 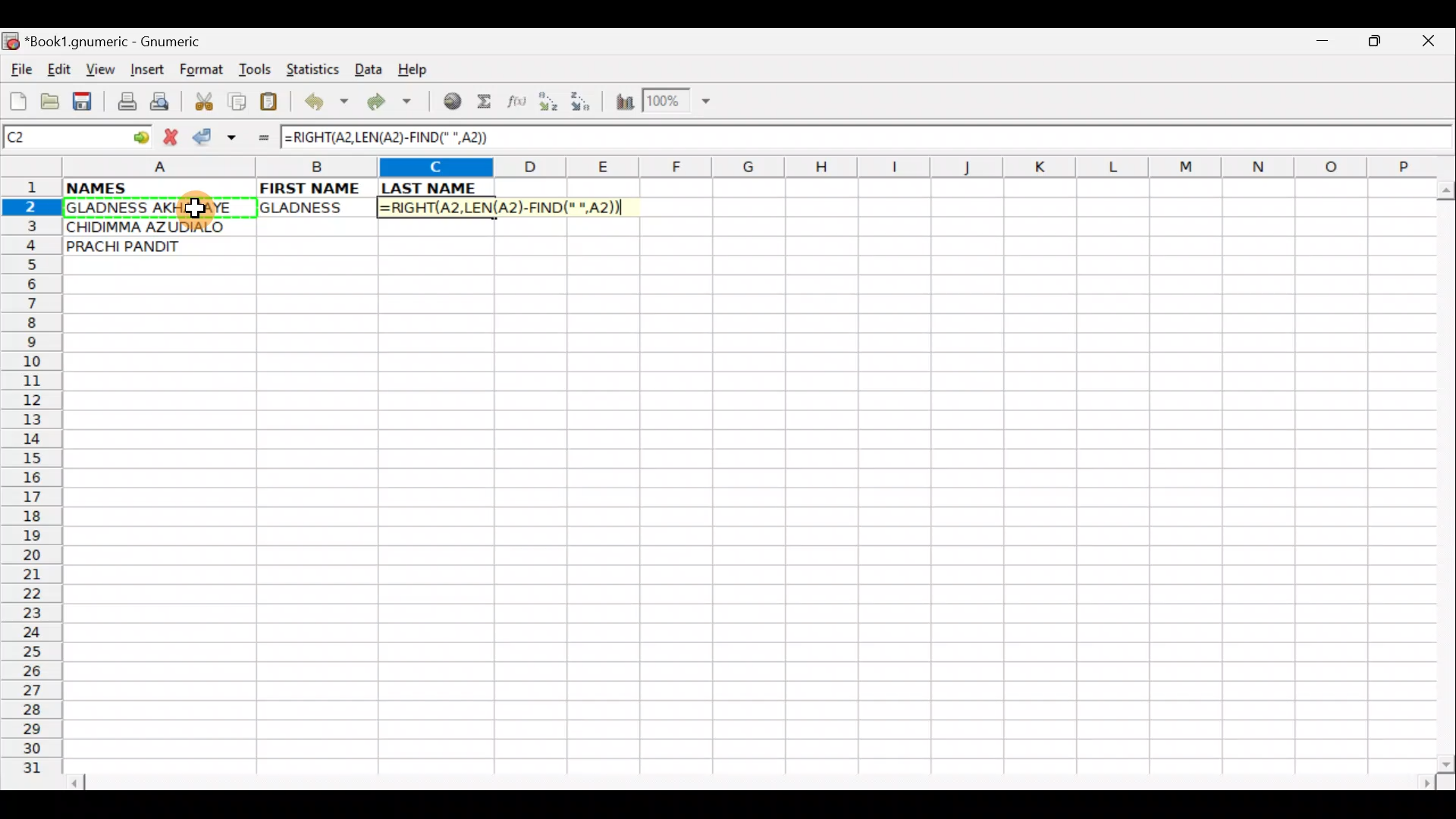 I want to click on Enter formula, so click(x=256, y=137).